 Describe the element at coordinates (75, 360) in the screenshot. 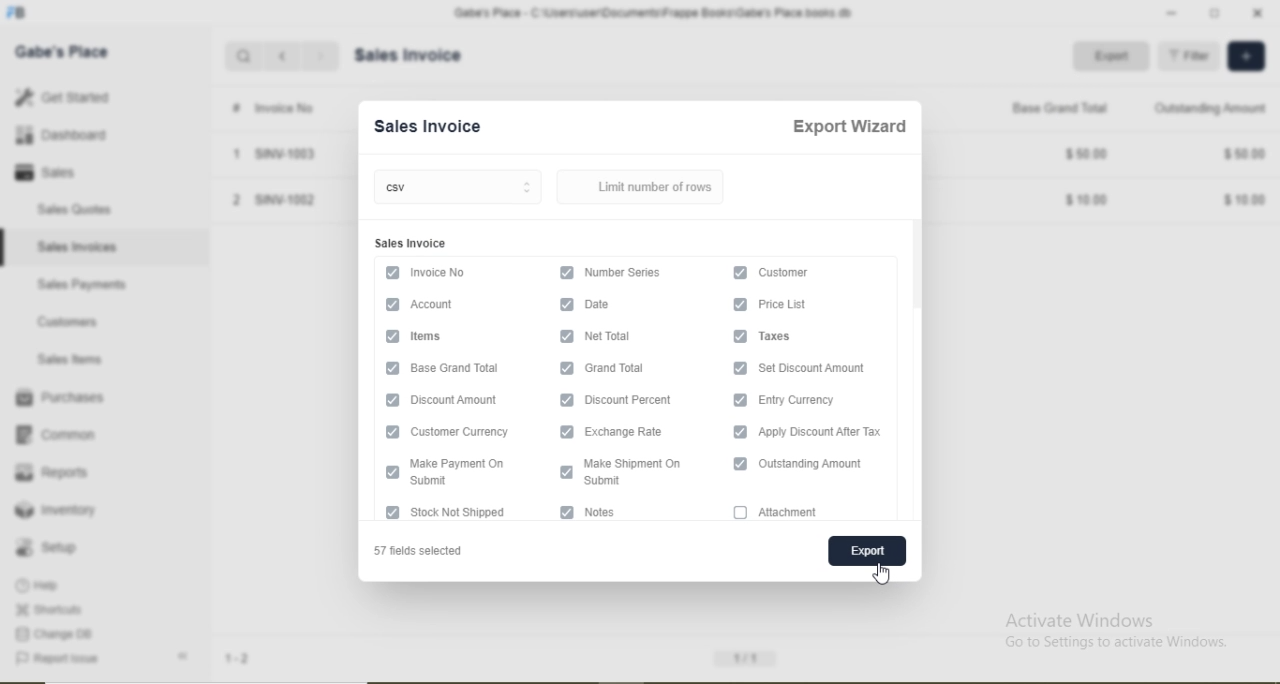

I see `Sales Items` at that location.